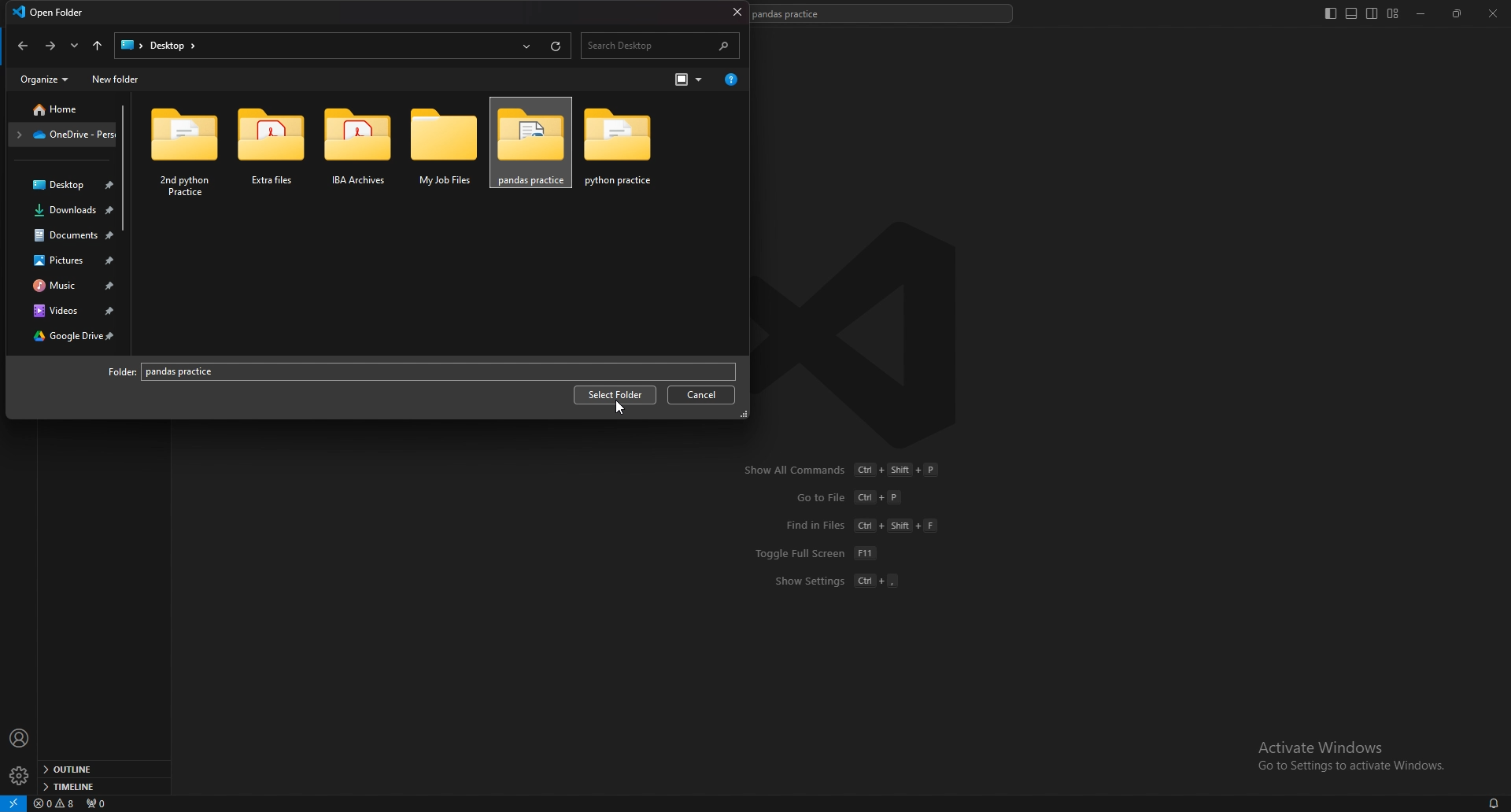  What do you see at coordinates (700, 394) in the screenshot?
I see `cancel` at bounding box center [700, 394].